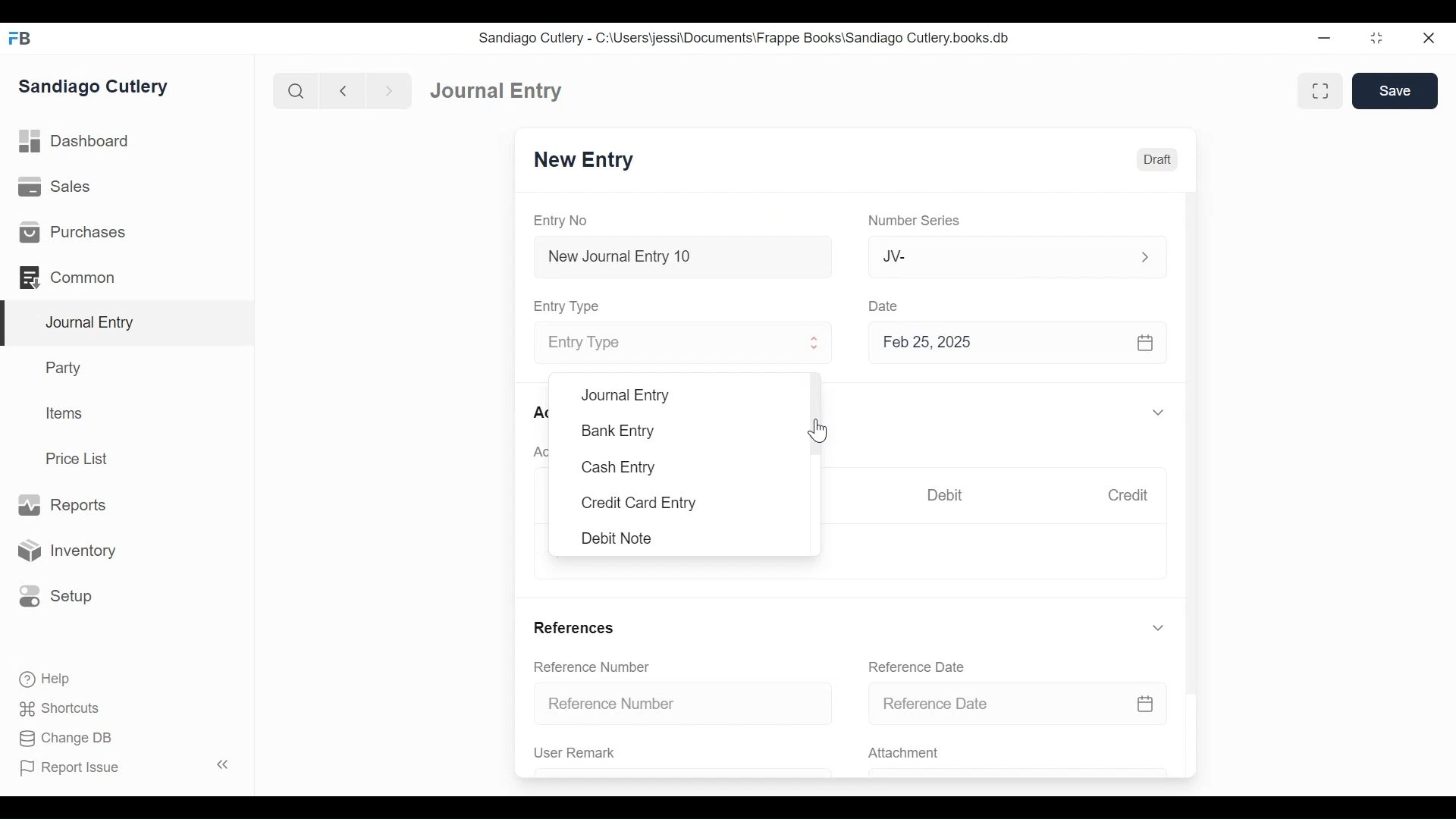  I want to click on Journal Entry, so click(626, 396).